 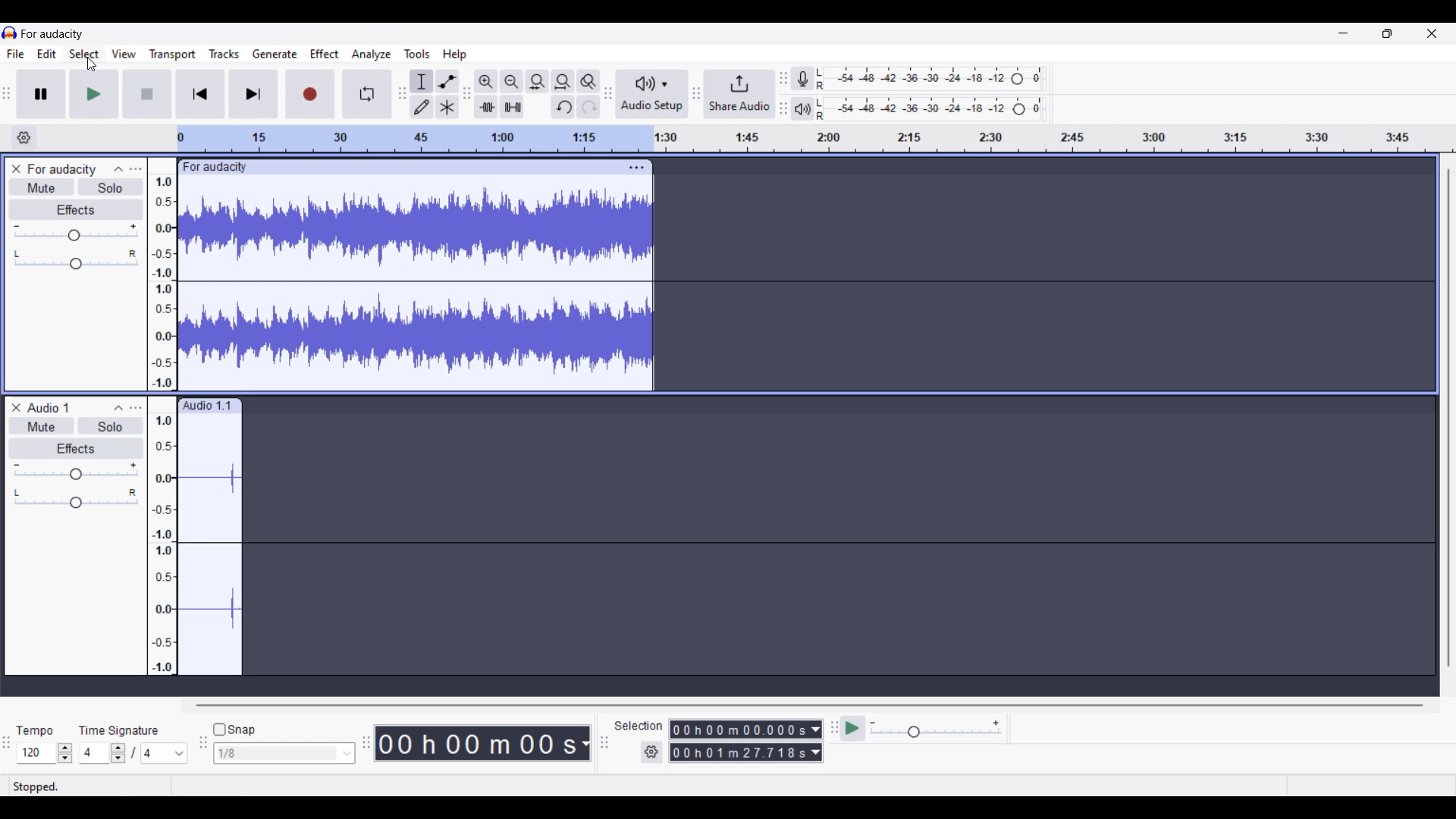 I want to click on Playback level, so click(x=933, y=110).